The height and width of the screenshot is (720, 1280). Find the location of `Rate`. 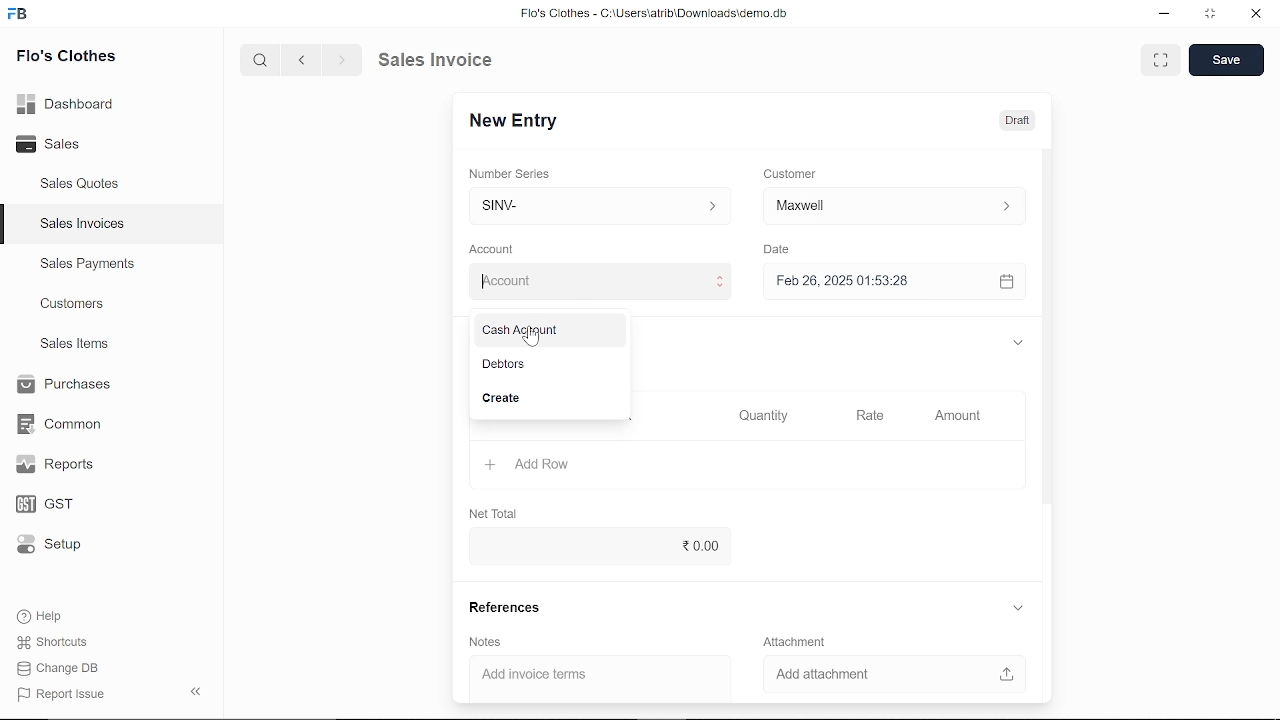

Rate is located at coordinates (863, 416).